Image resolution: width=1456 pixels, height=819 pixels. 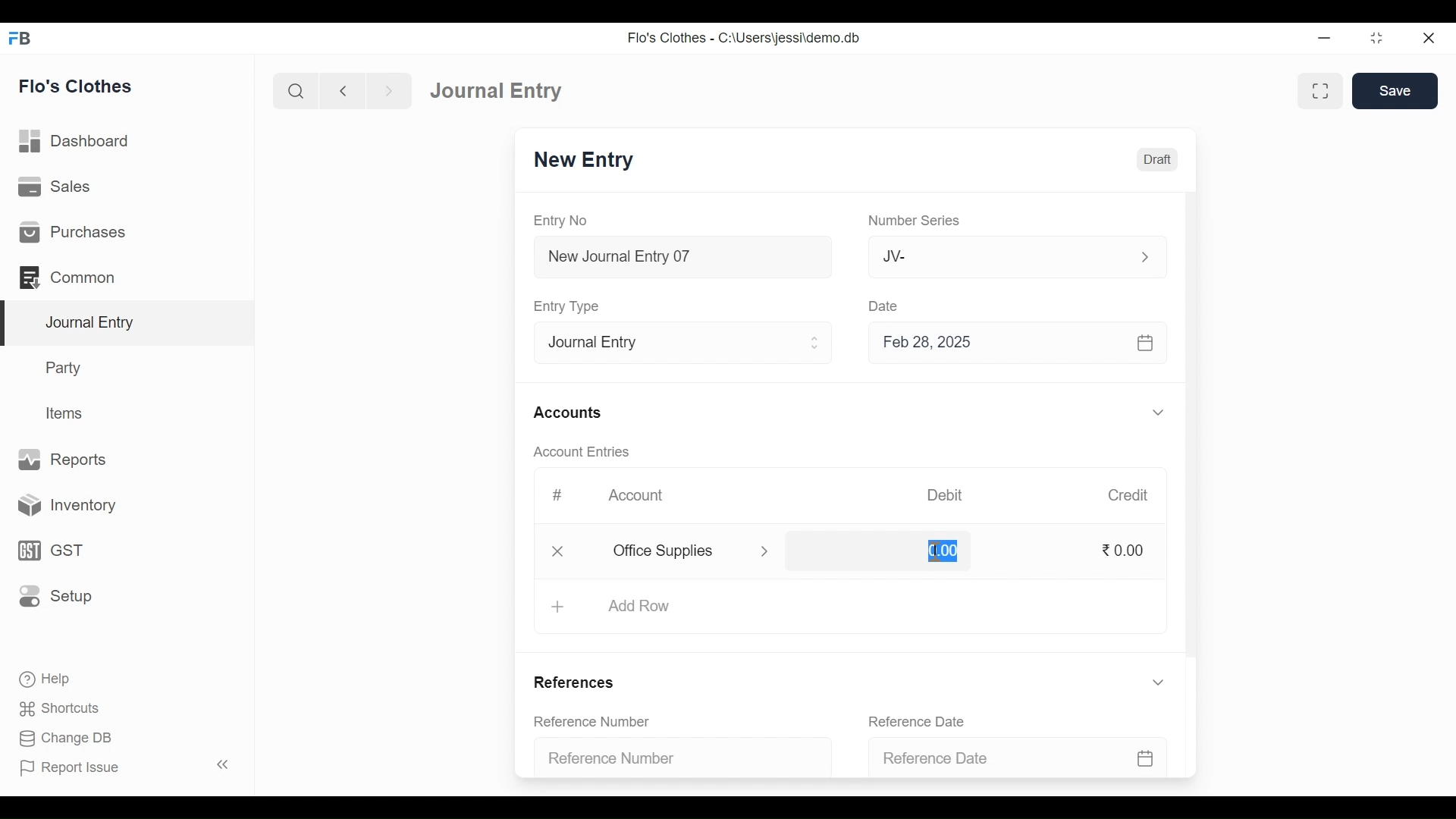 I want to click on Reference Date, so click(x=916, y=720).